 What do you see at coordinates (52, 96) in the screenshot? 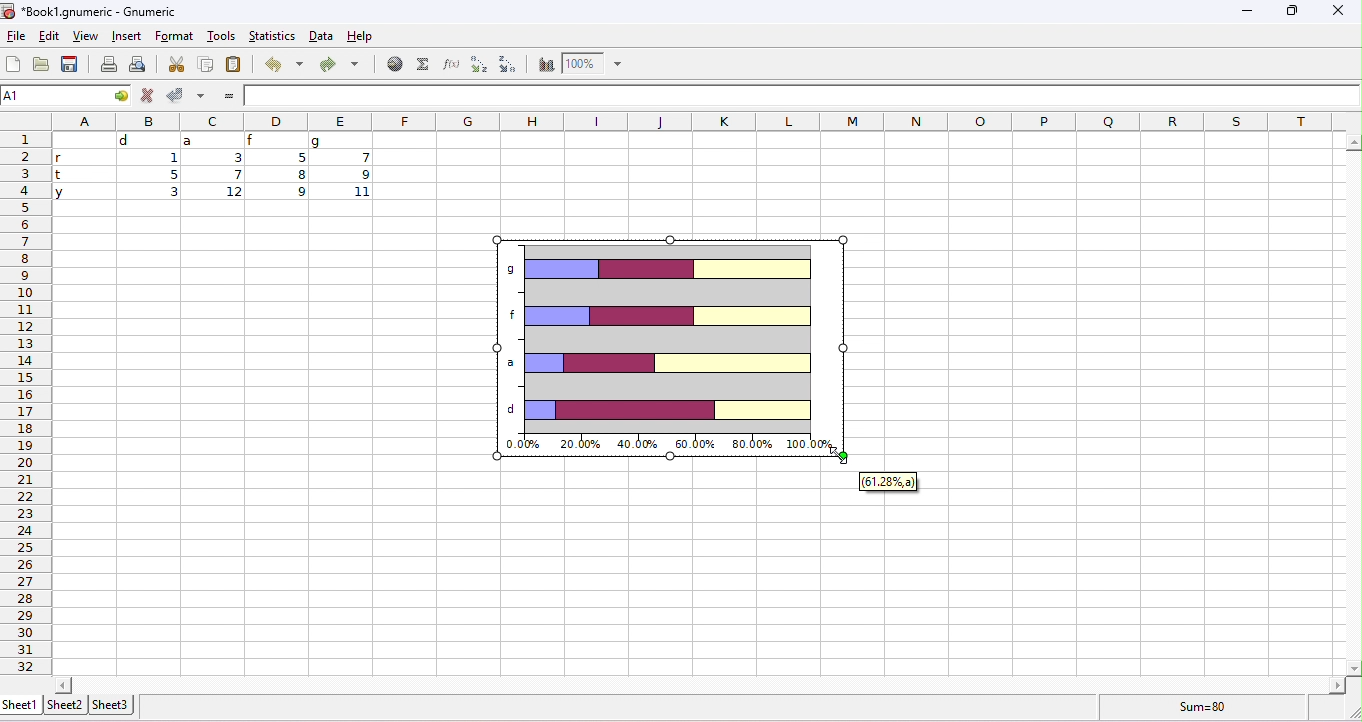
I see `selected cell number` at bounding box center [52, 96].